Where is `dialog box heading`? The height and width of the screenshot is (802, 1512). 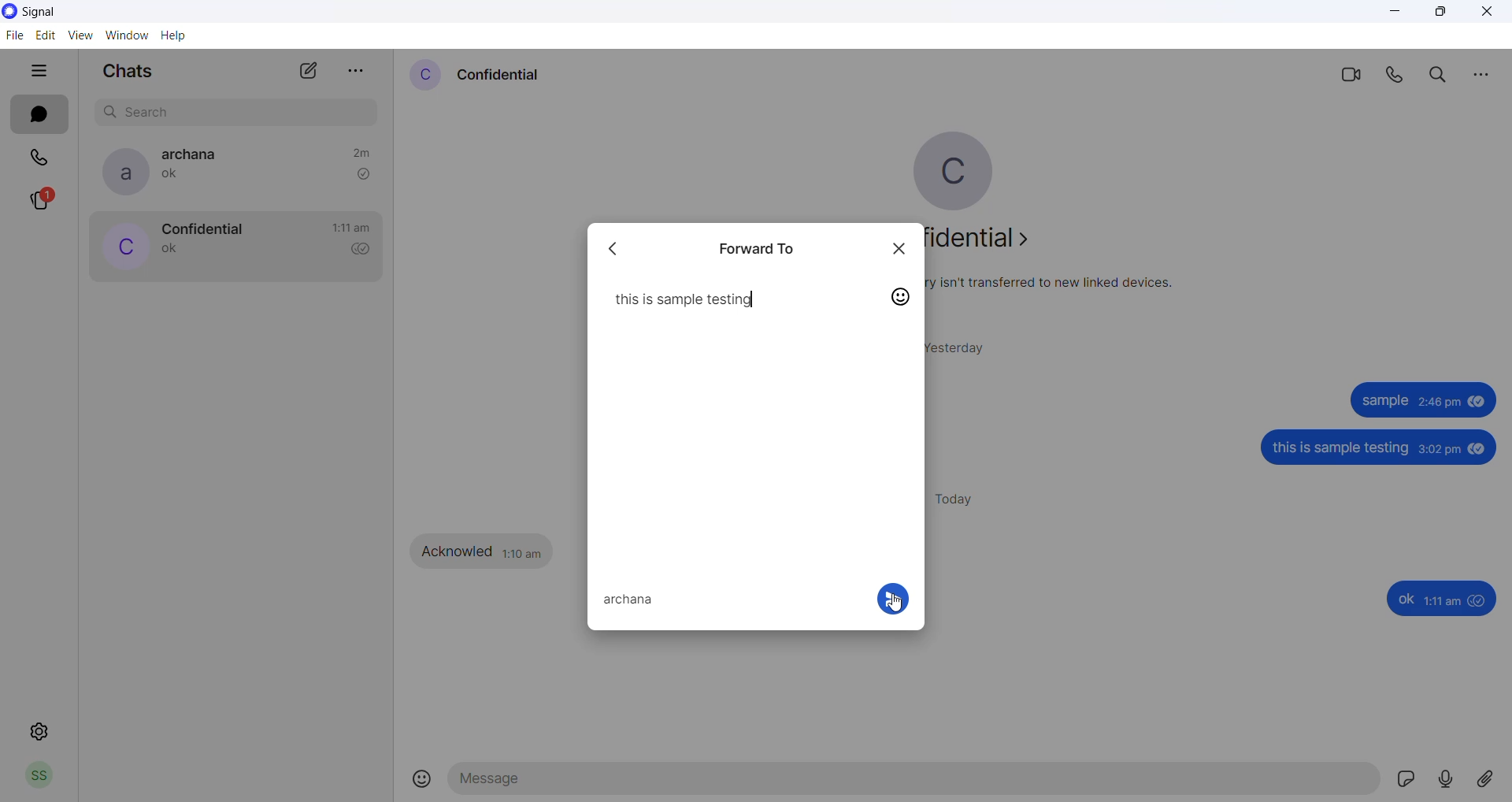 dialog box heading is located at coordinates (764, 247).